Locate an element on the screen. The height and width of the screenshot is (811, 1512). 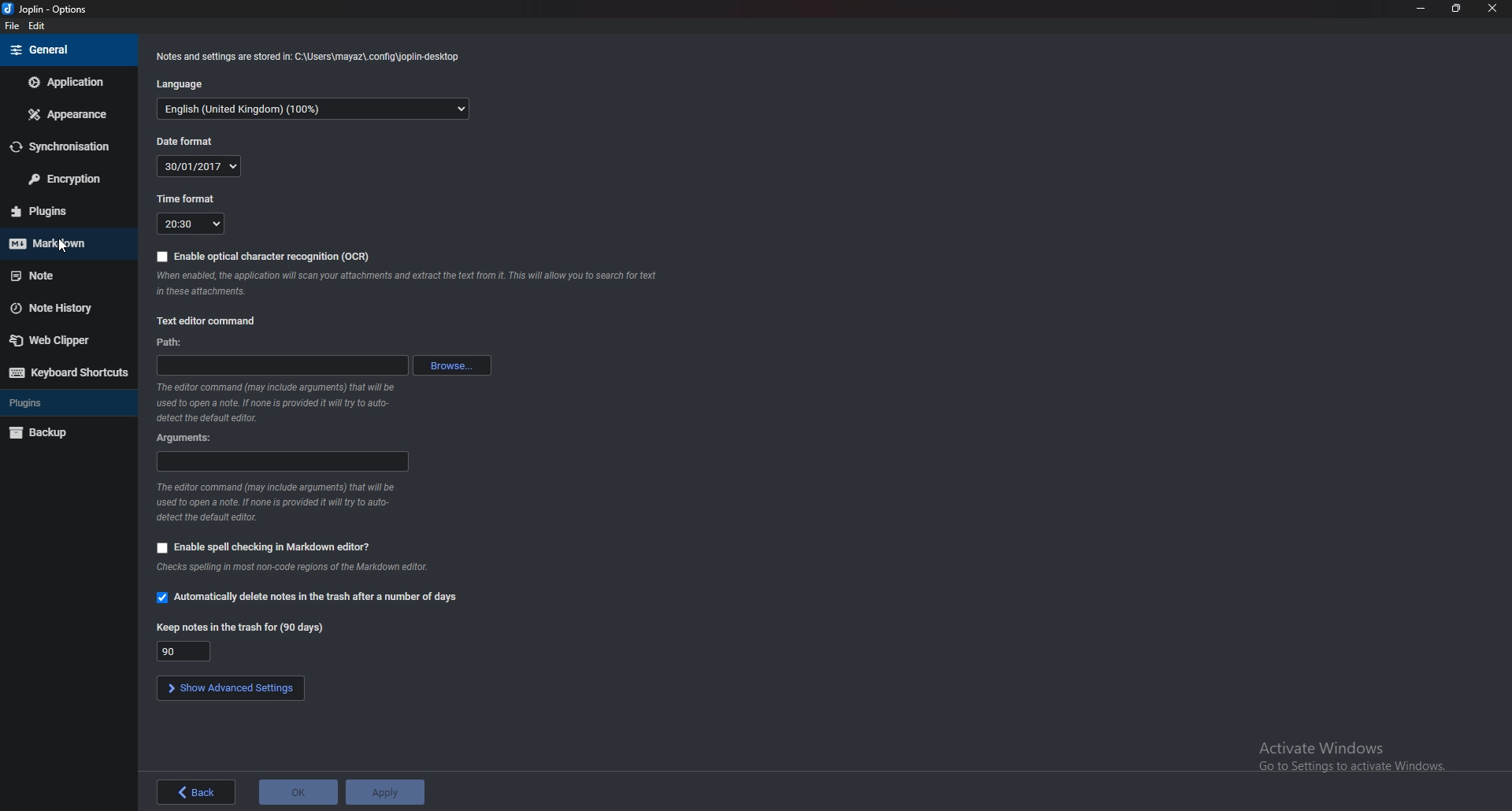
Info is located at coordinates (277, 501).